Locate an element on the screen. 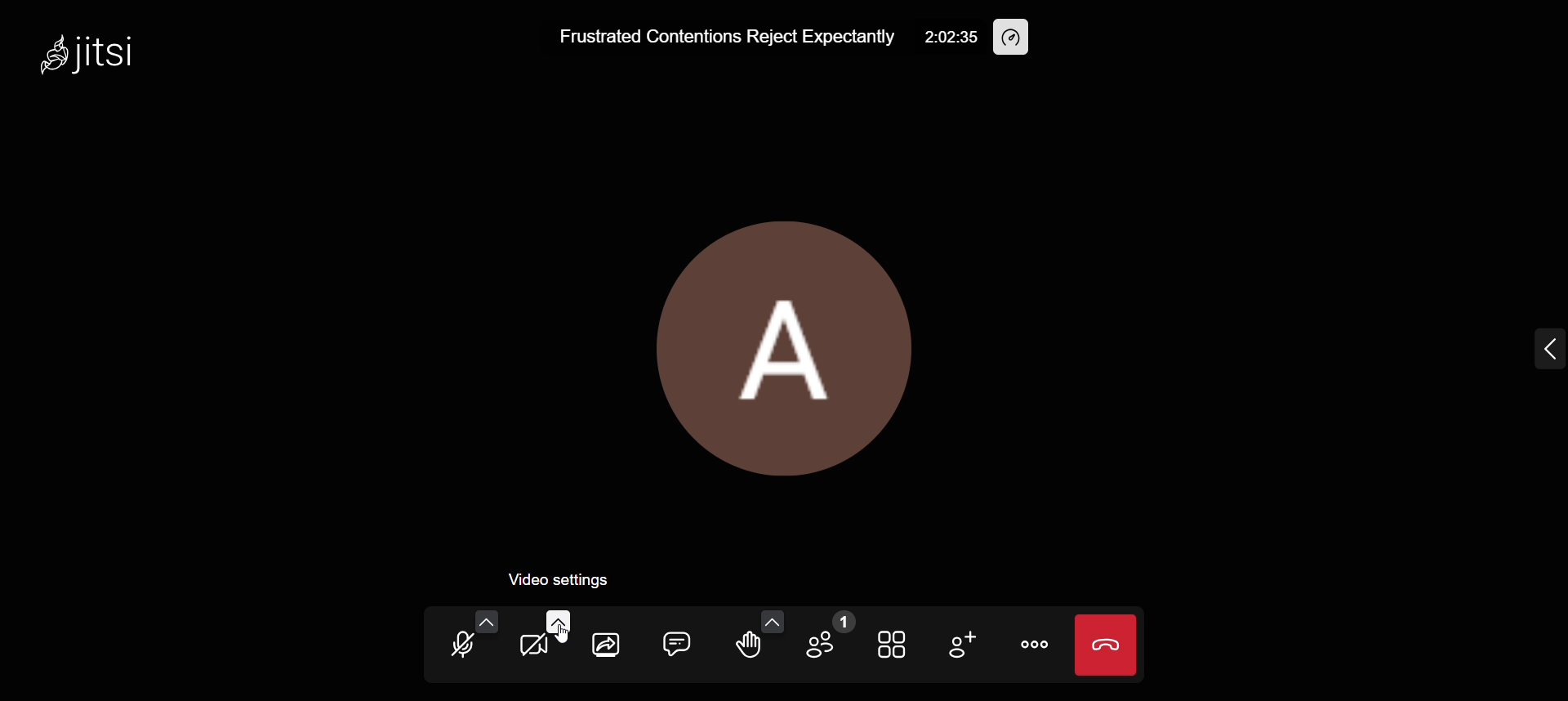 Image resolution: width=1568 pixels, height=701 pixels. add participants is located at coordinates (962, 643).